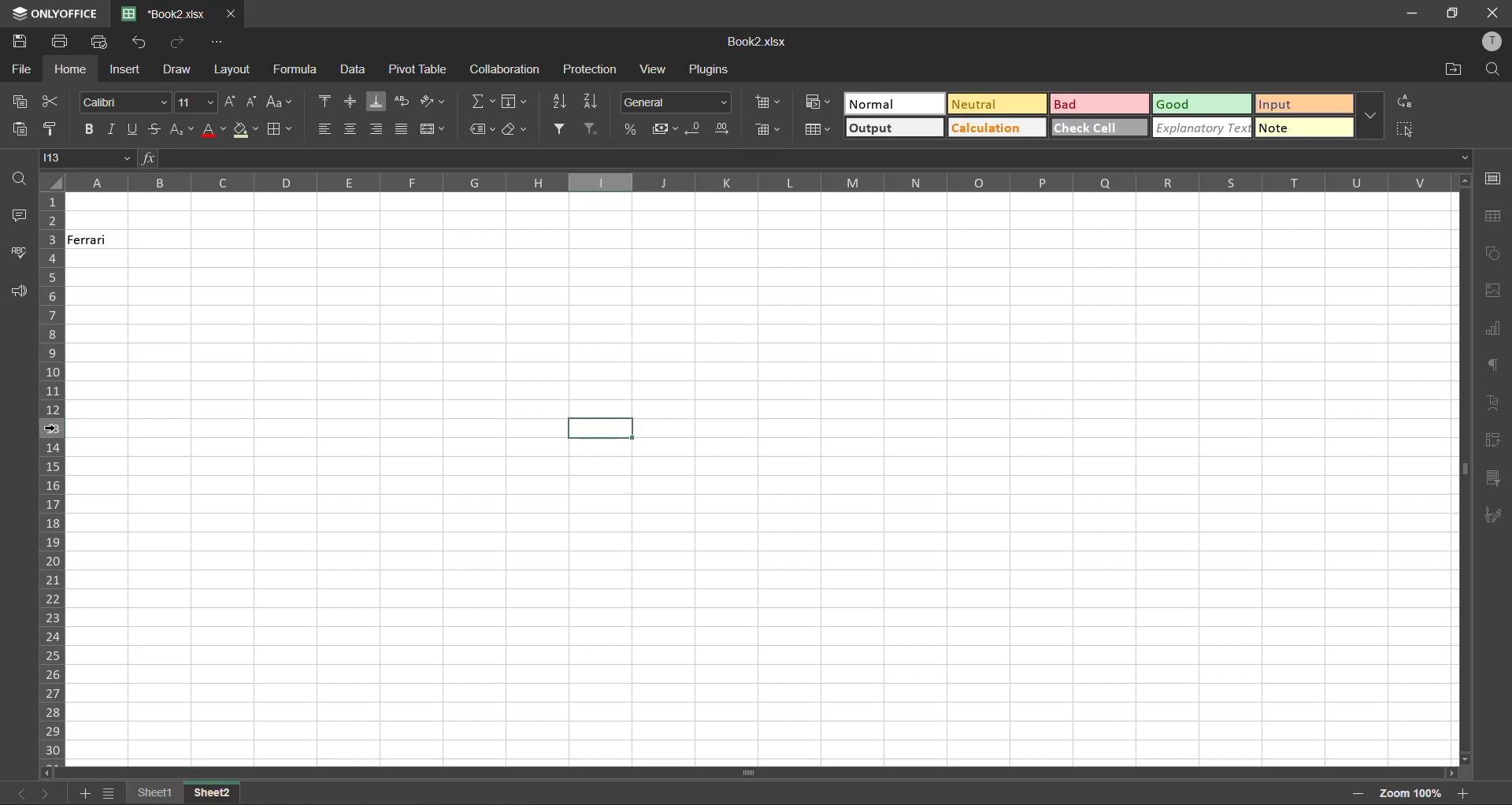 The width and height of the screenshot is (1512, 805). I want to click on fx, so click(150, 158).